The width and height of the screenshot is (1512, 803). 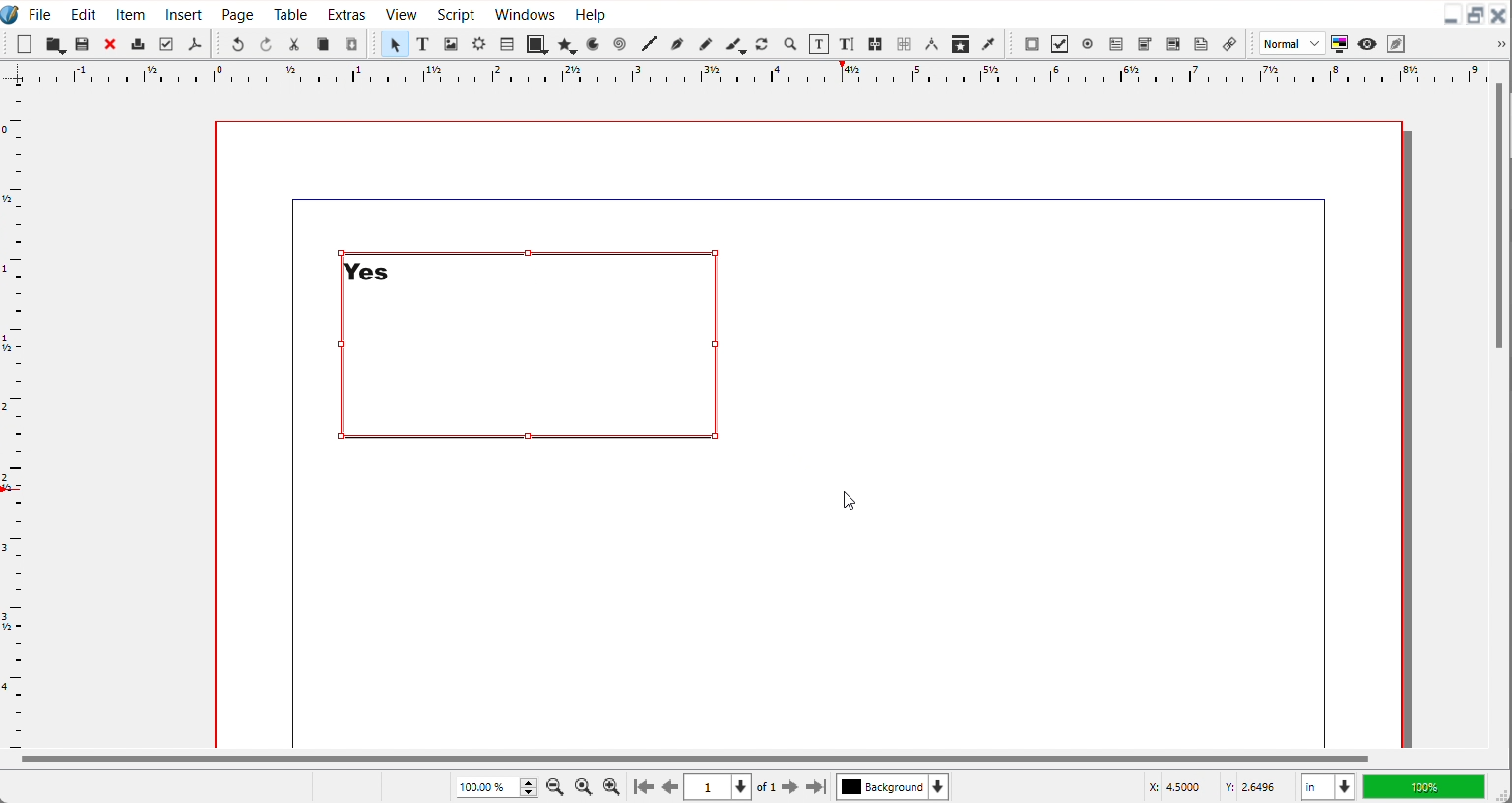 What do you see at coordinates (618, 44) in the screenshot?
I see `Spiral` at bounding box center [618, 44].